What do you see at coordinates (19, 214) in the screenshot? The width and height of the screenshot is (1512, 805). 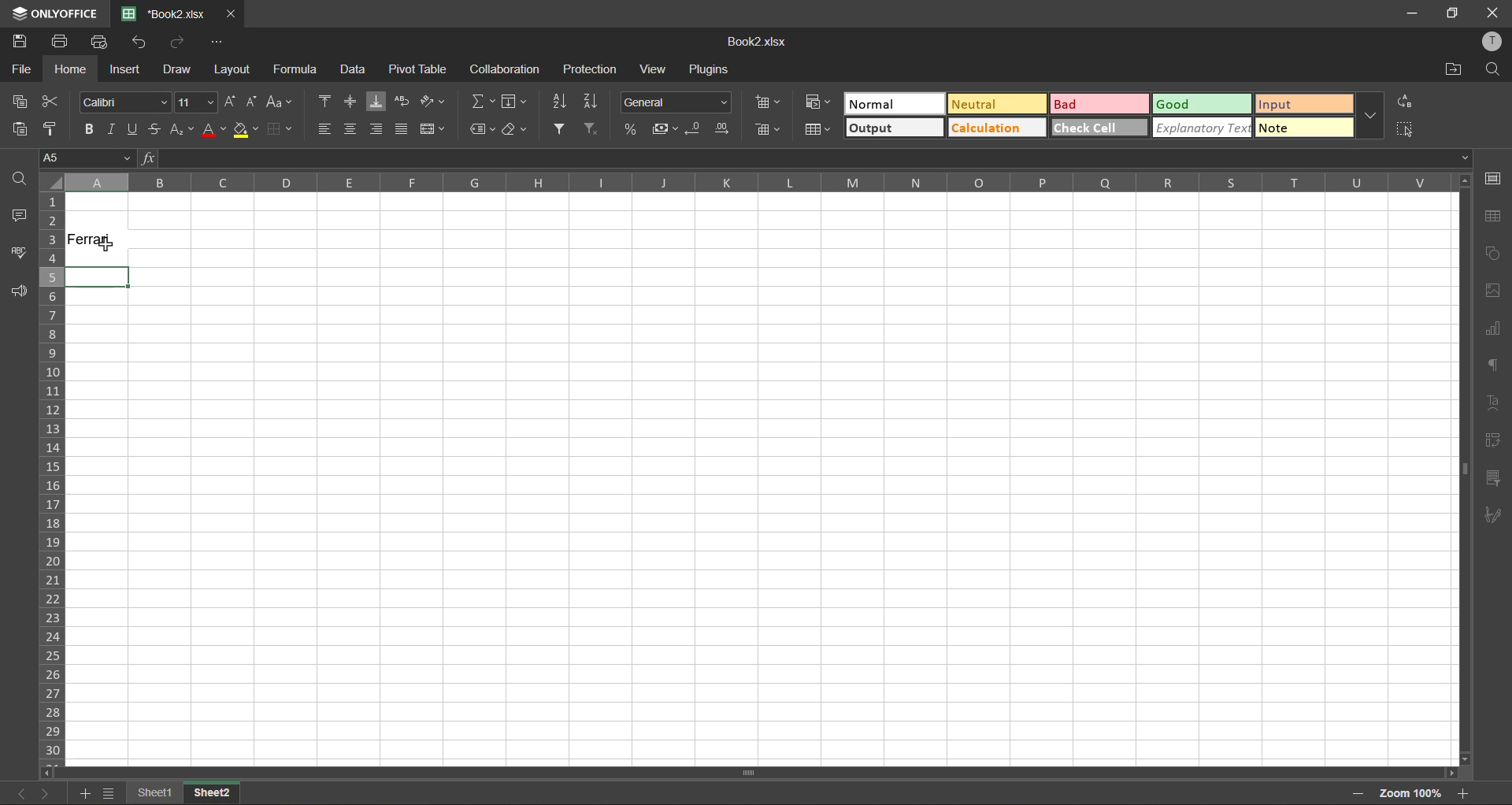 I see `comments` at bounding box center [19, 214].